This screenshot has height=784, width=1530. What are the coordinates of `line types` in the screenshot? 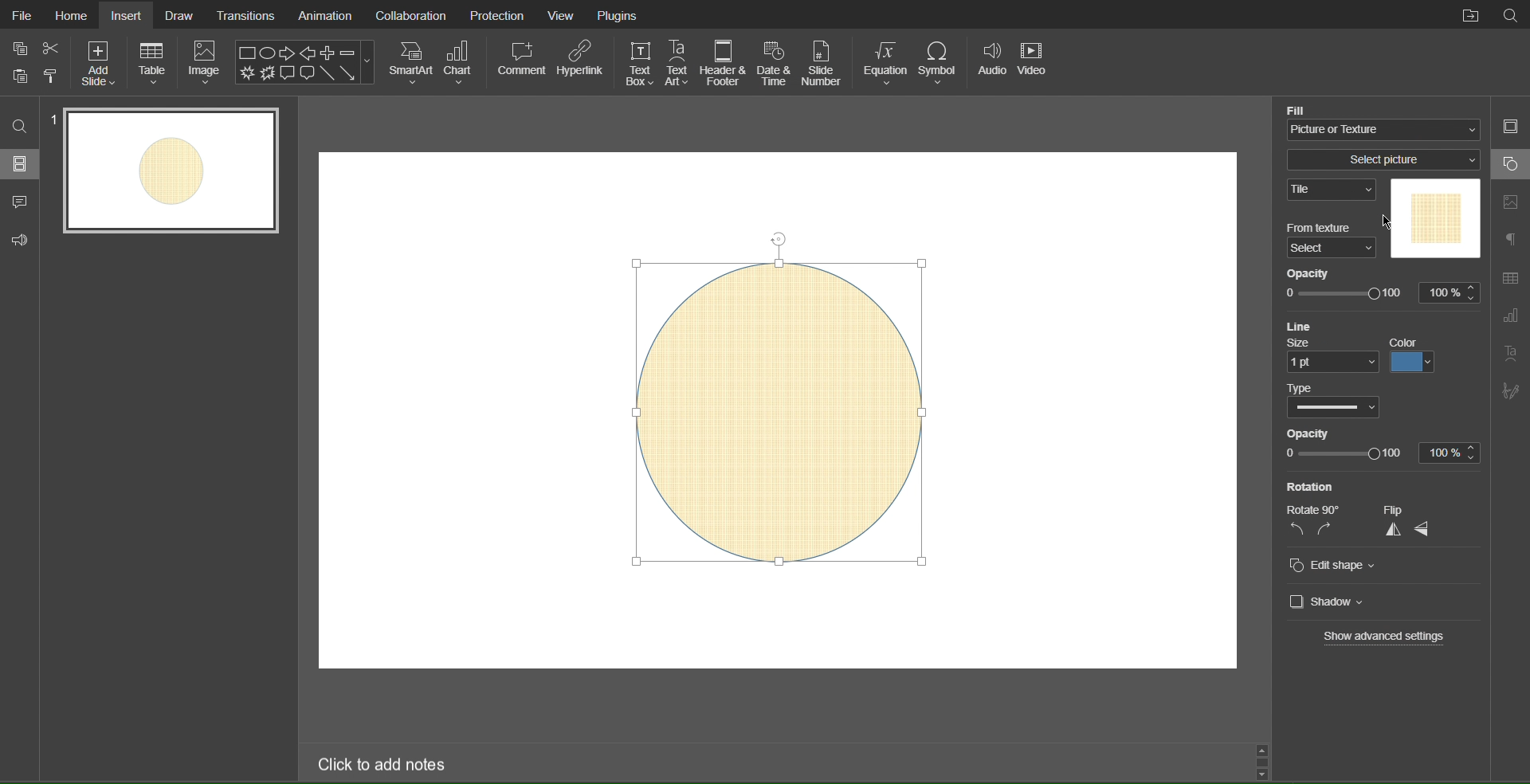 It's located at (1328, 410).